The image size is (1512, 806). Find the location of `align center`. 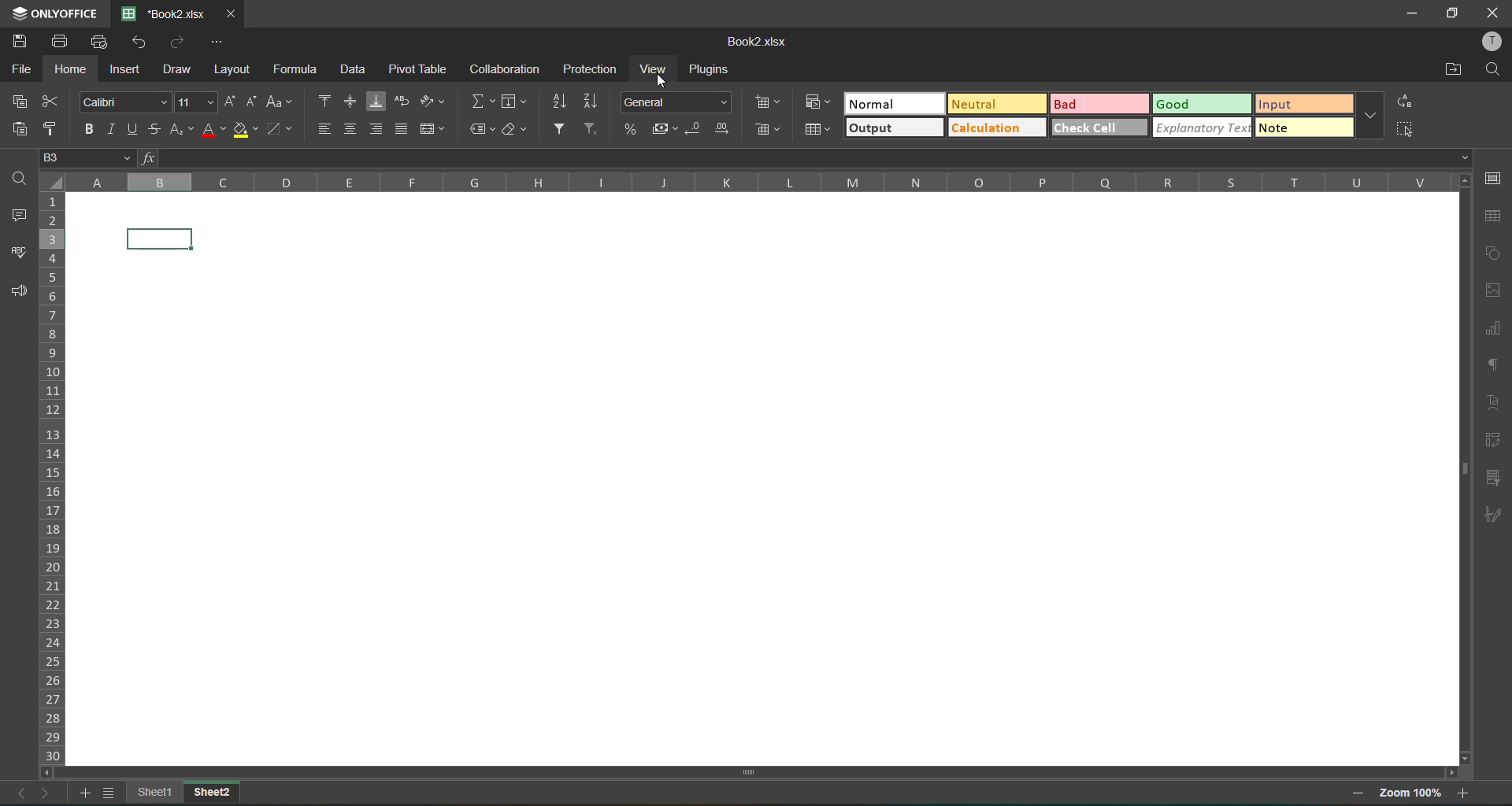

align center is located at coordinates (351, 130).